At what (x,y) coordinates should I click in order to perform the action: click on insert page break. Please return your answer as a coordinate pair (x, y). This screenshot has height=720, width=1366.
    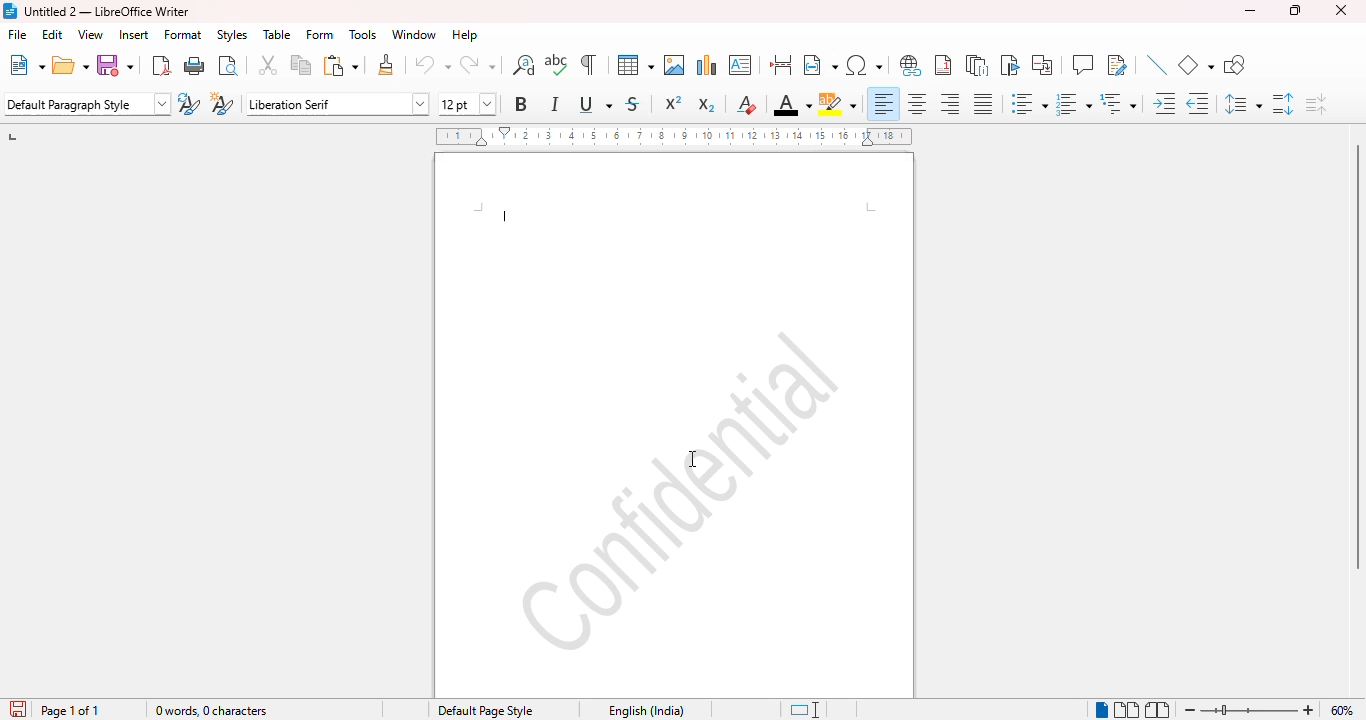
    Looking at the image, I should click on (780, 65).